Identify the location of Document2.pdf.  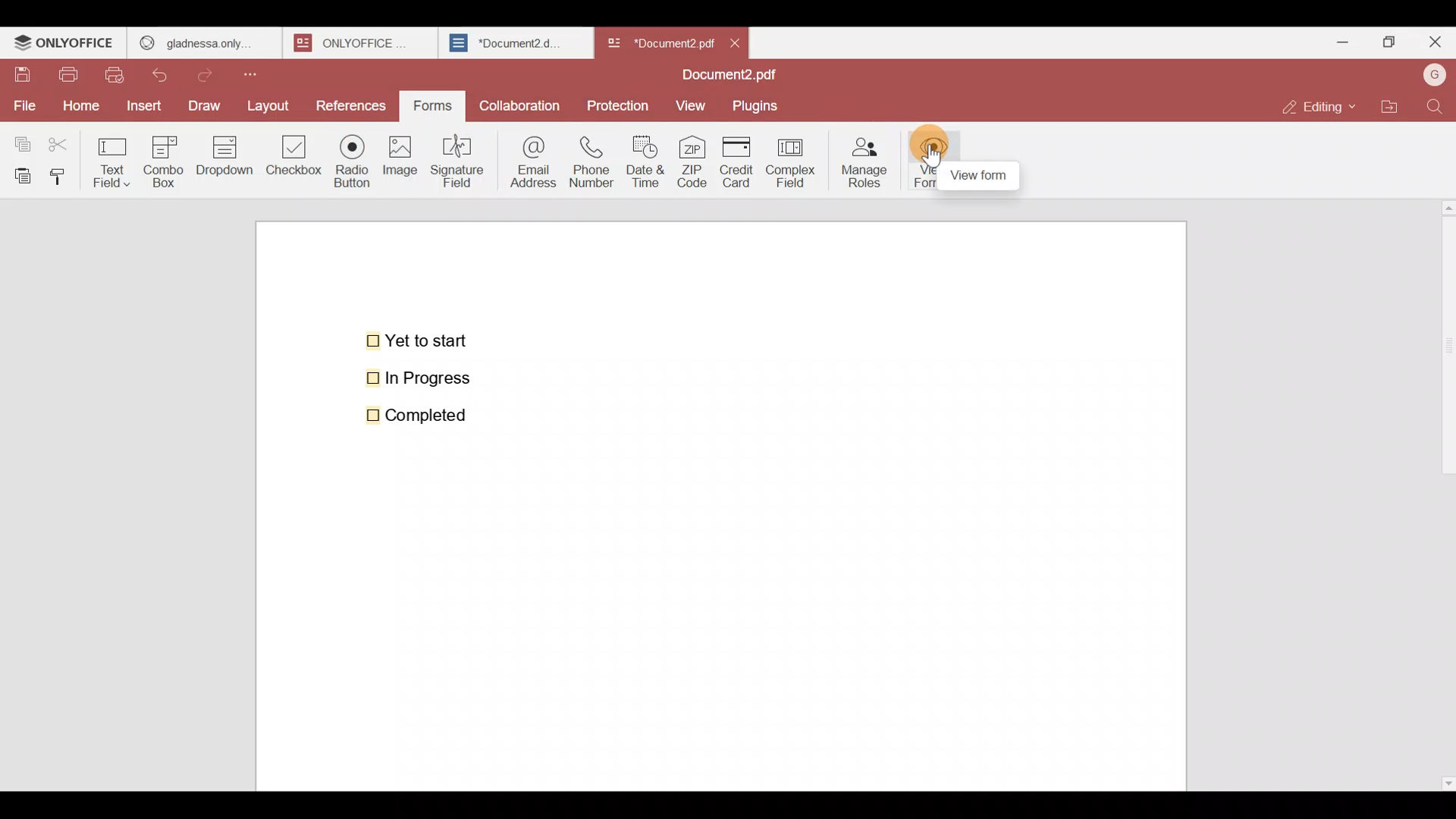
(725, 77).